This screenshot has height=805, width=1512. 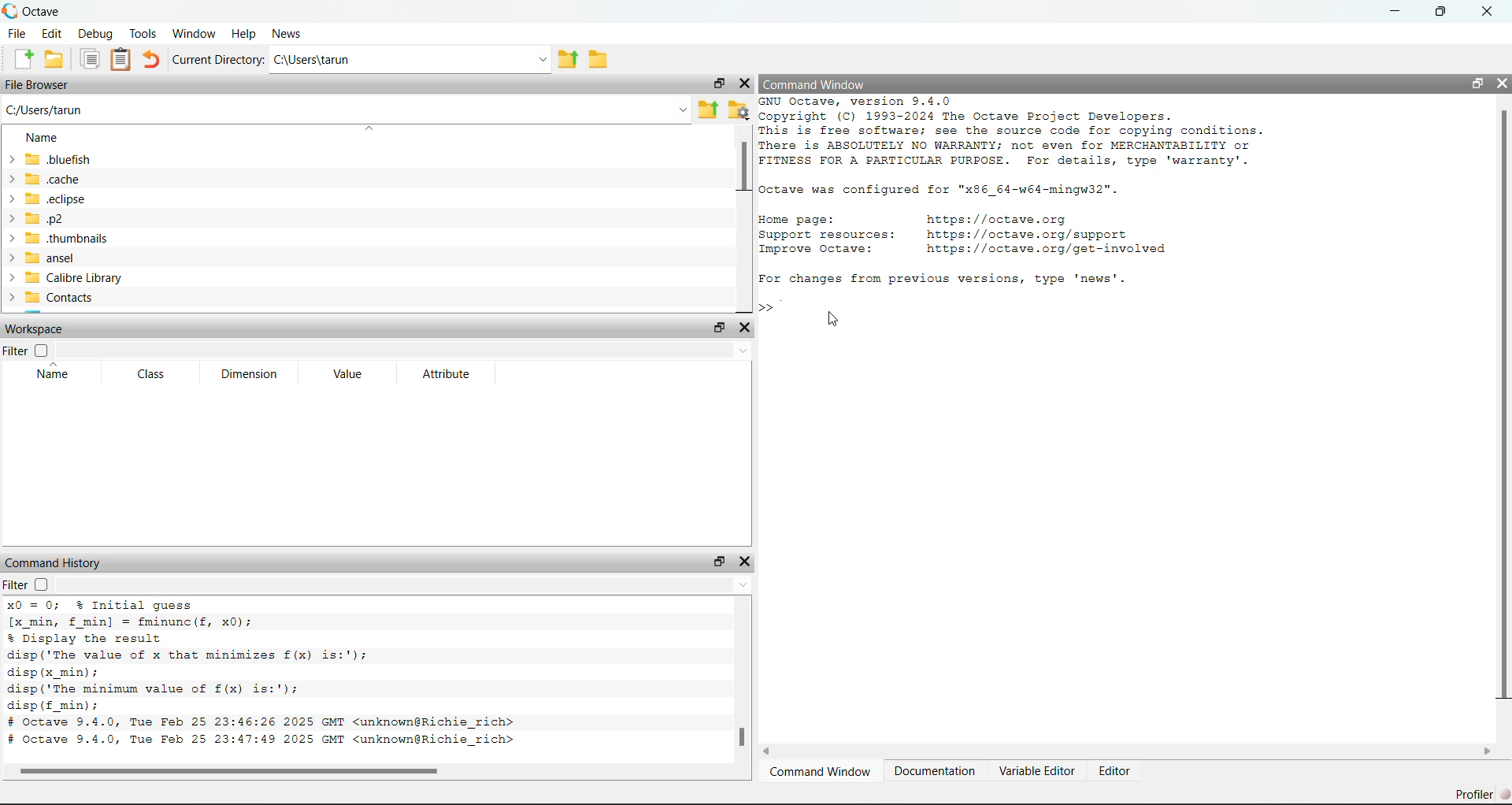 What do you see at coordinates (68, 237) in the screenshot?
I see `>  thumbnails` at bounding box center [68, 237].